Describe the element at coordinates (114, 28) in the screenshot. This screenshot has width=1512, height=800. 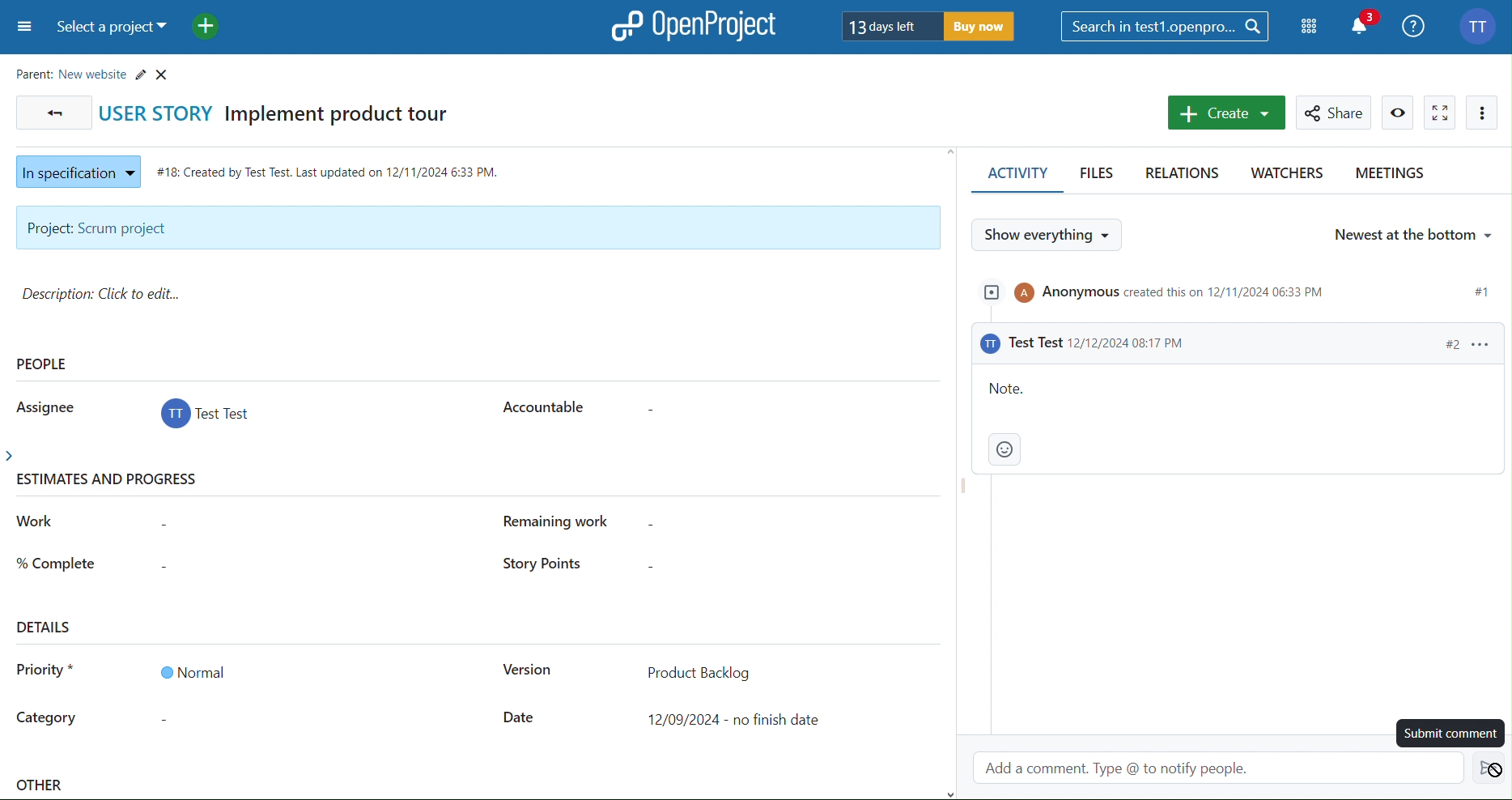
I see `Select a project` at that location.